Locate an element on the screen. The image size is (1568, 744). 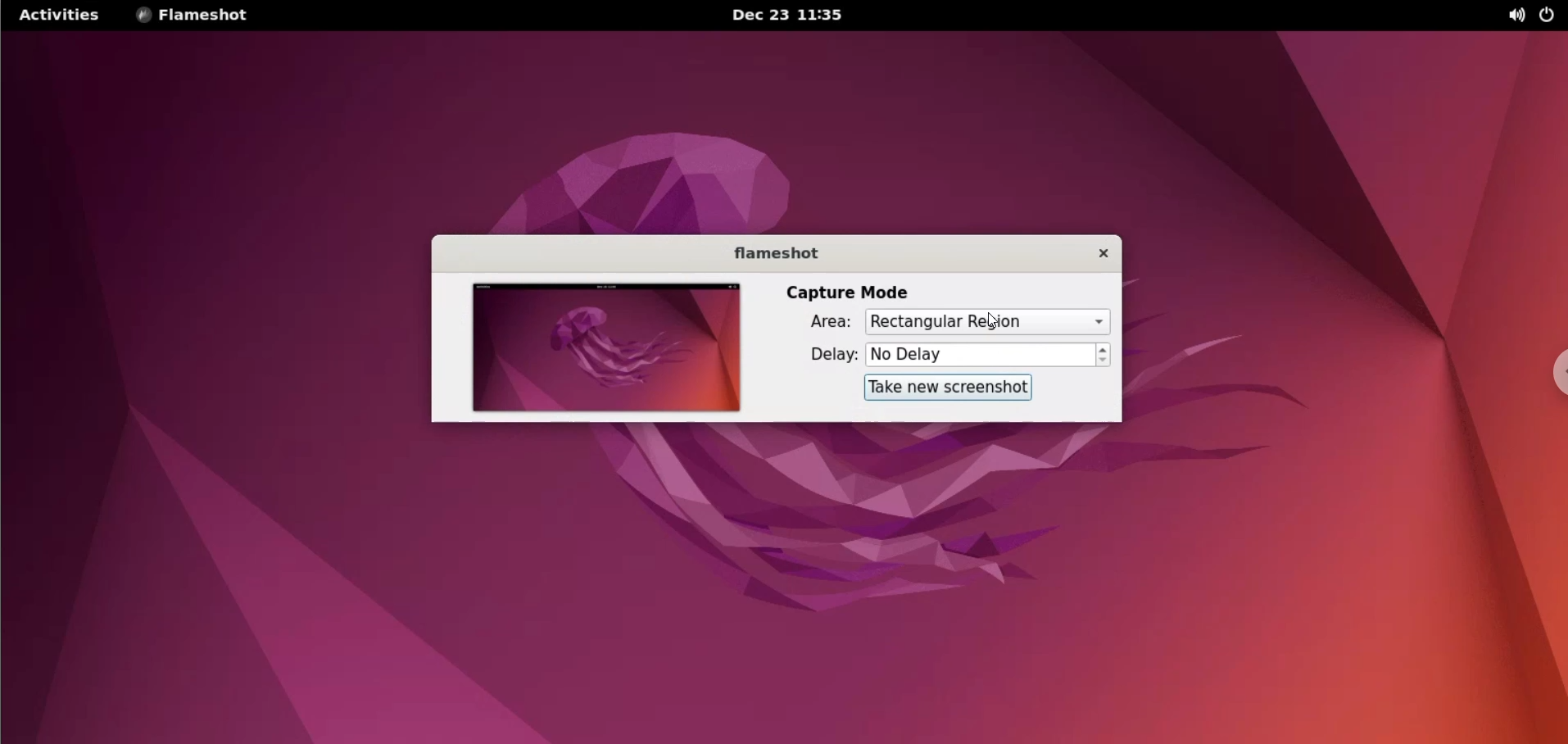
No Delay is located at coordinates (979, 355).